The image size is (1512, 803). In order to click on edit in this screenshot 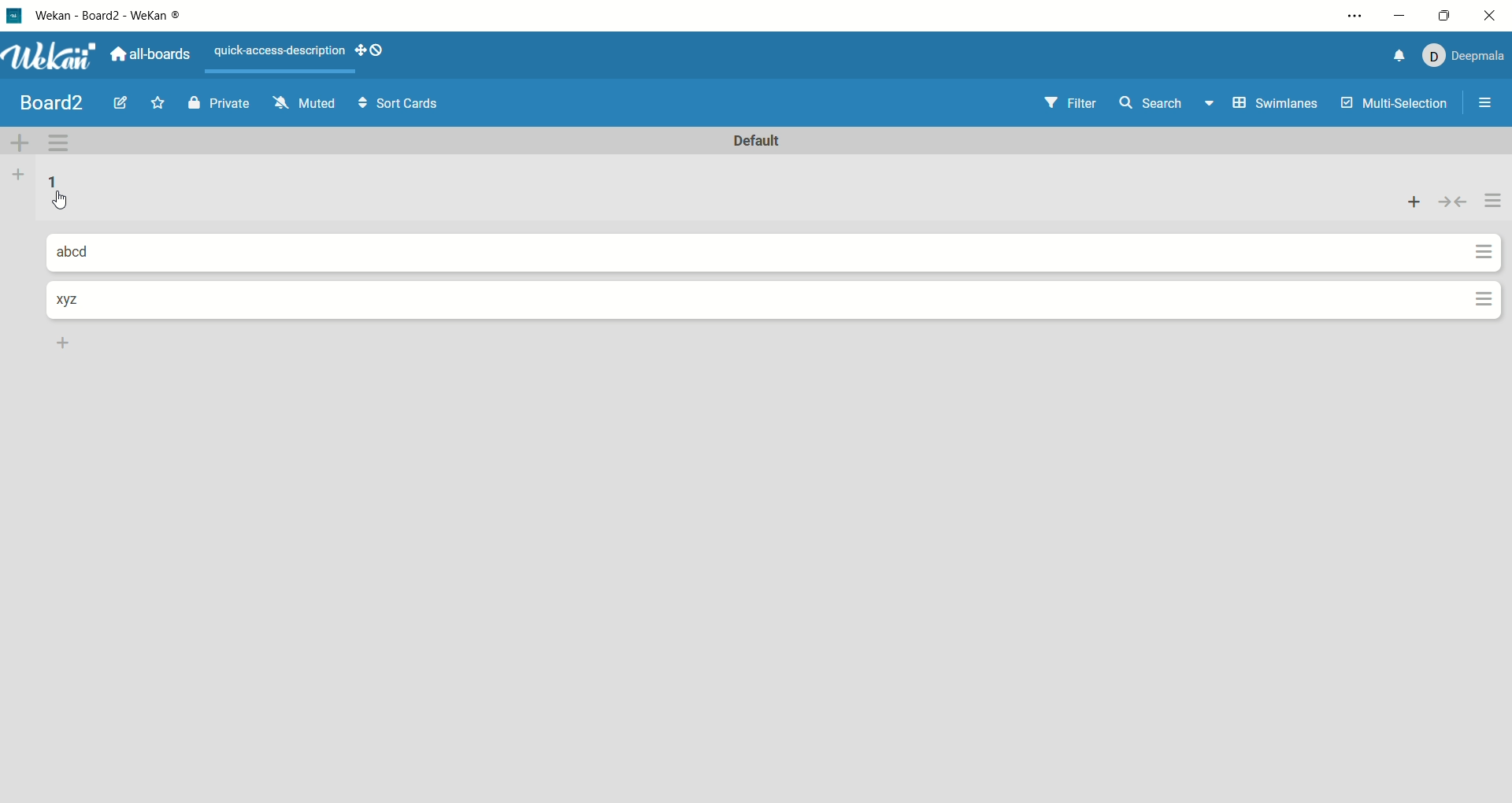, I will do `click(121, 105)`.